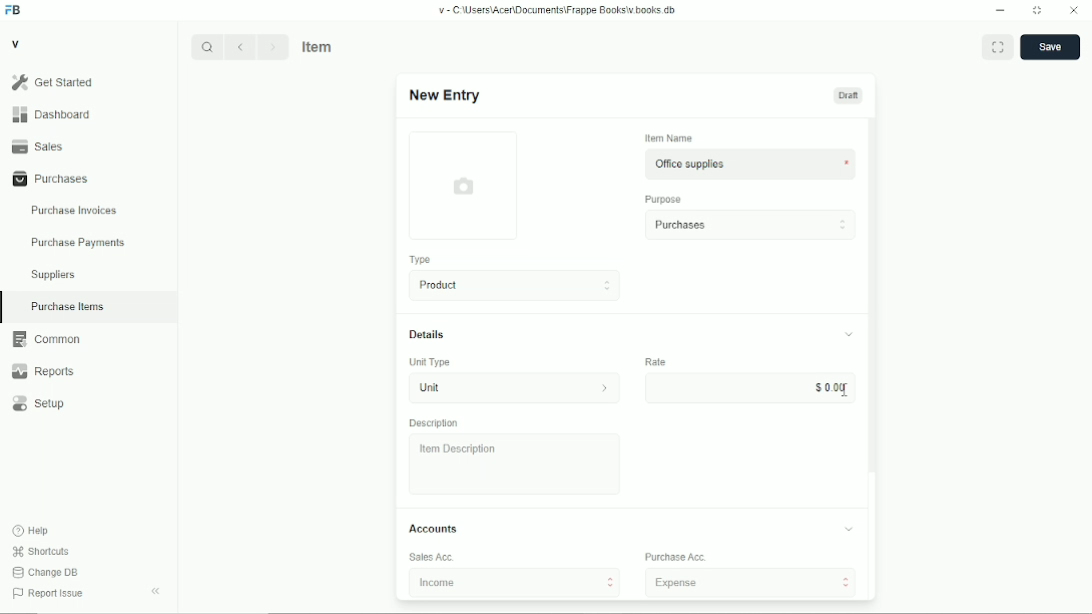 This screenshot has height=614, width=1092. What do you see at coordinates (427, 334) in the screenshot?
I see `details` at bounding box center [427, 334].